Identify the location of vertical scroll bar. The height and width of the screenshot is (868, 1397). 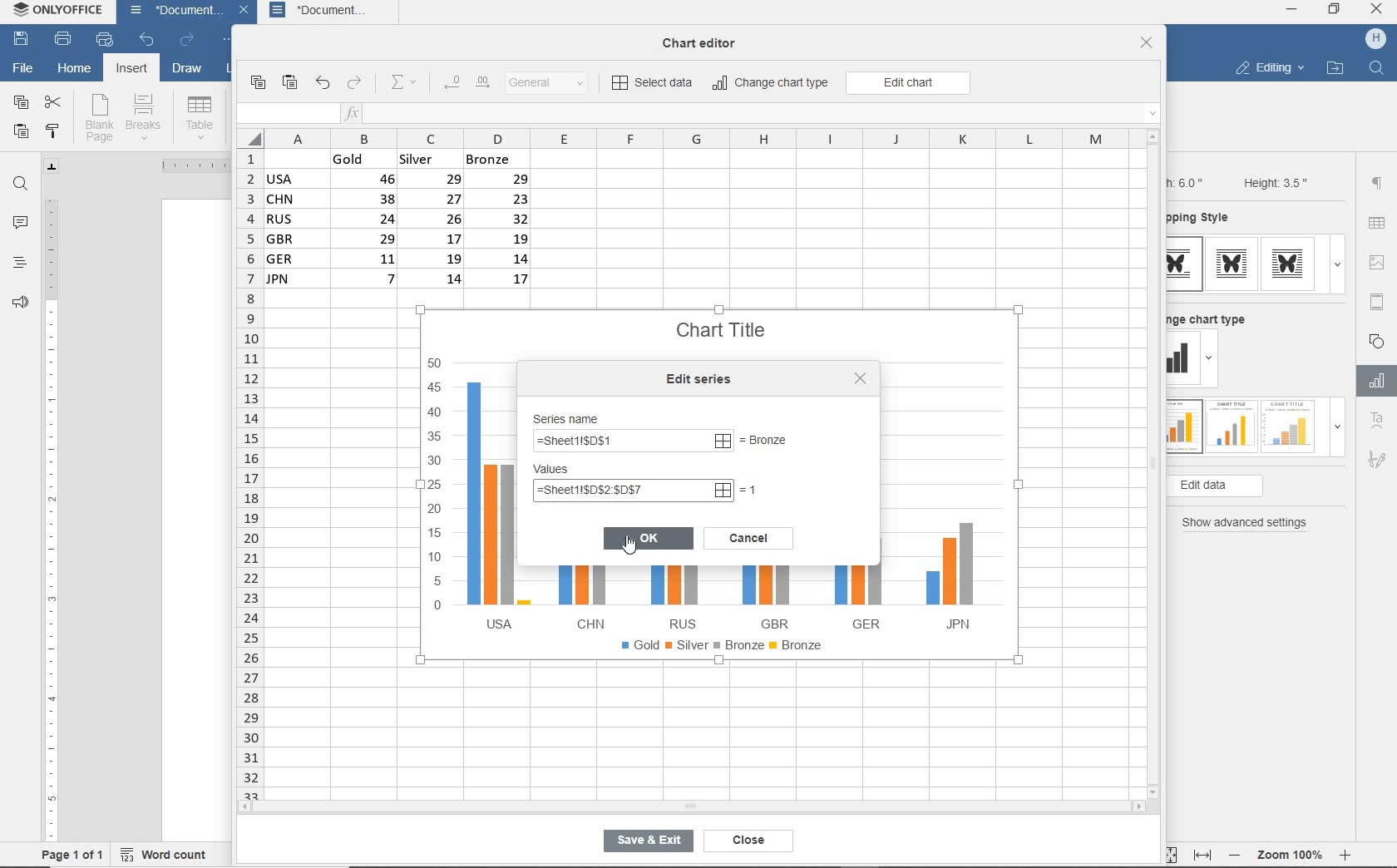
(1158, 463).